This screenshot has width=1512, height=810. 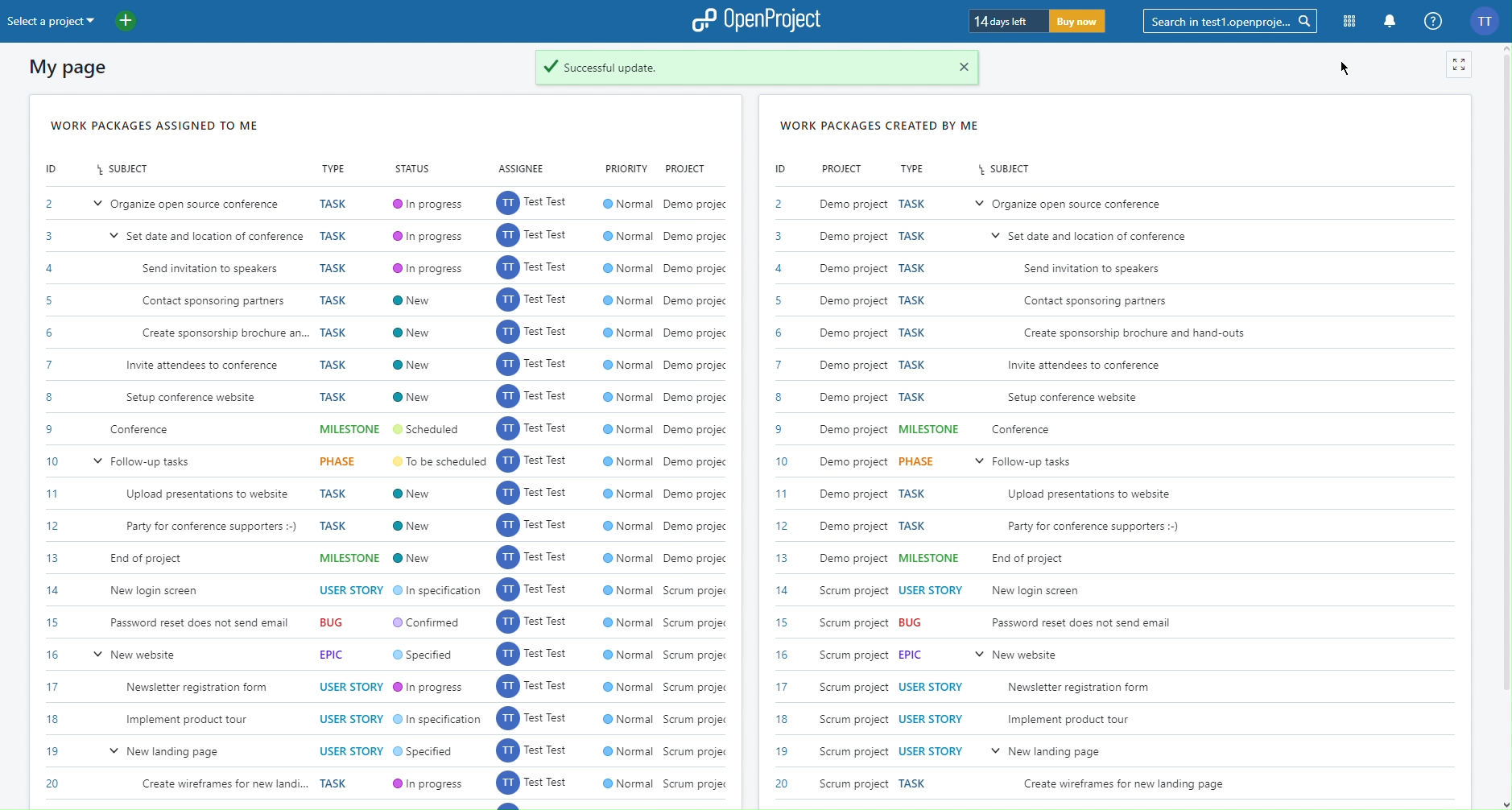 I want to click on Trial Timer, so click(x=1039, y=19).